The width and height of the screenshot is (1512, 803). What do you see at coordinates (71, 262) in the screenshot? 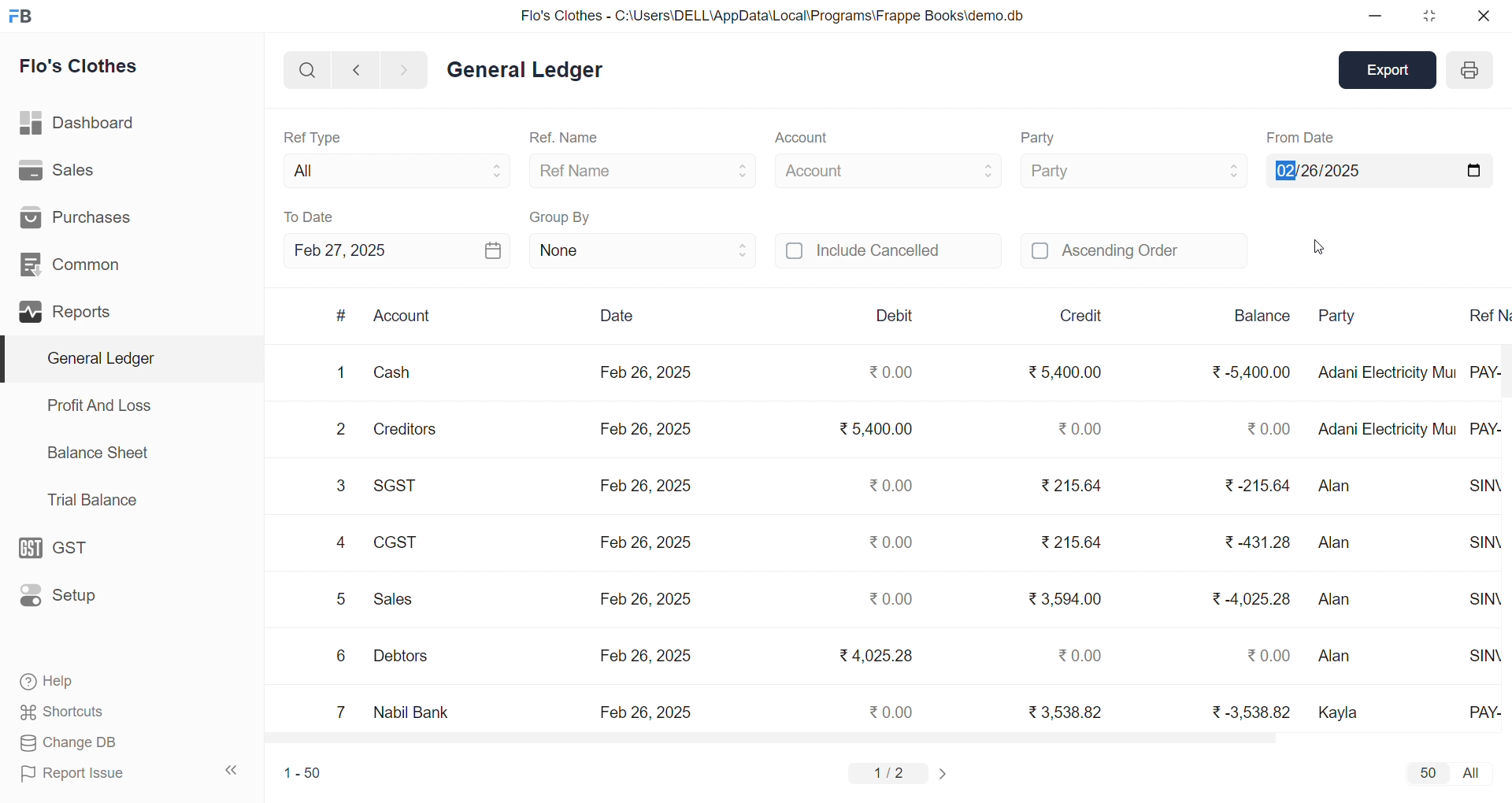
I see `Common` at bounding box center [71, 262].